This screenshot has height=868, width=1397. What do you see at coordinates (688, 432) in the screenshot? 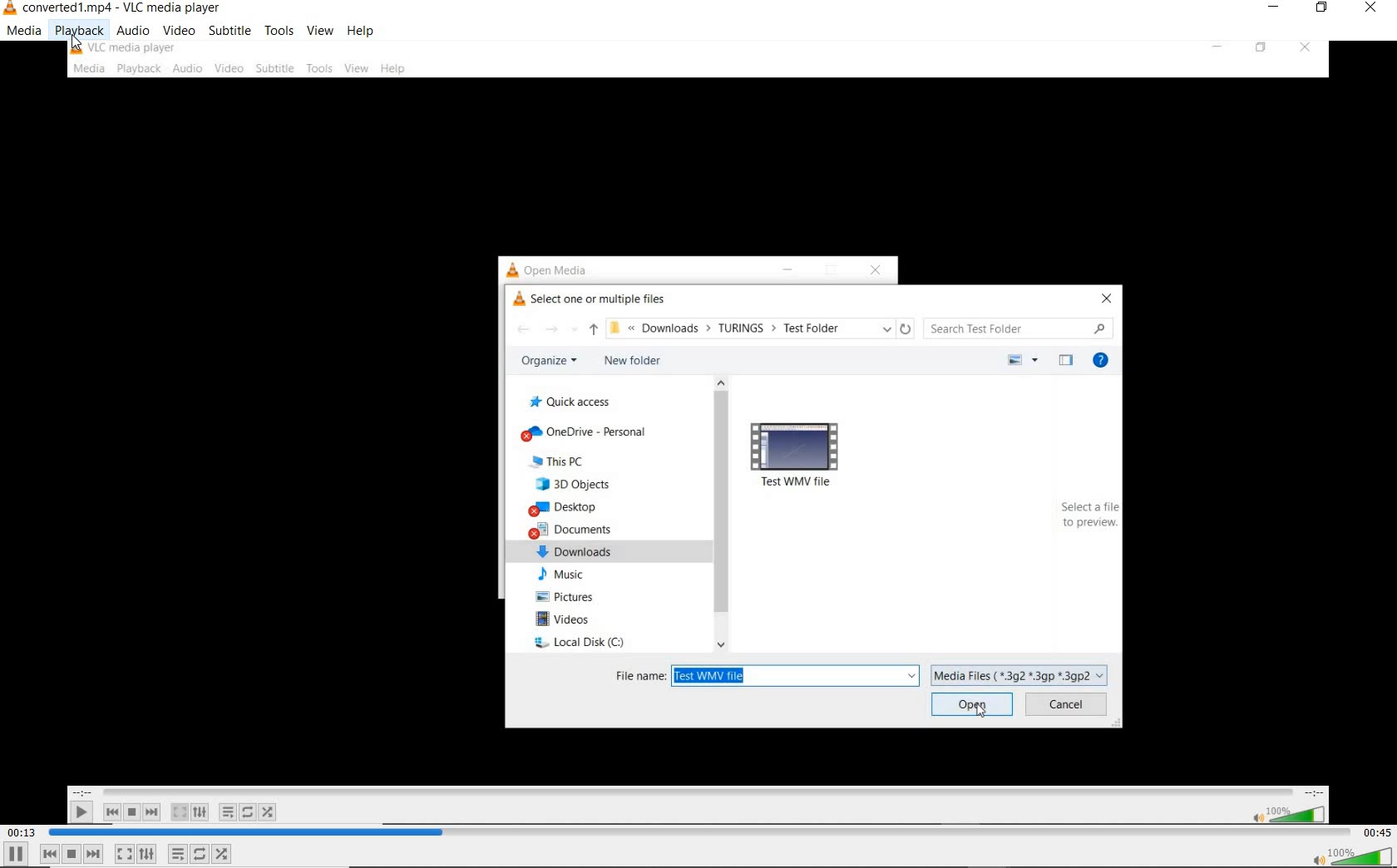
I see `video` at bounding box center [688, 432].